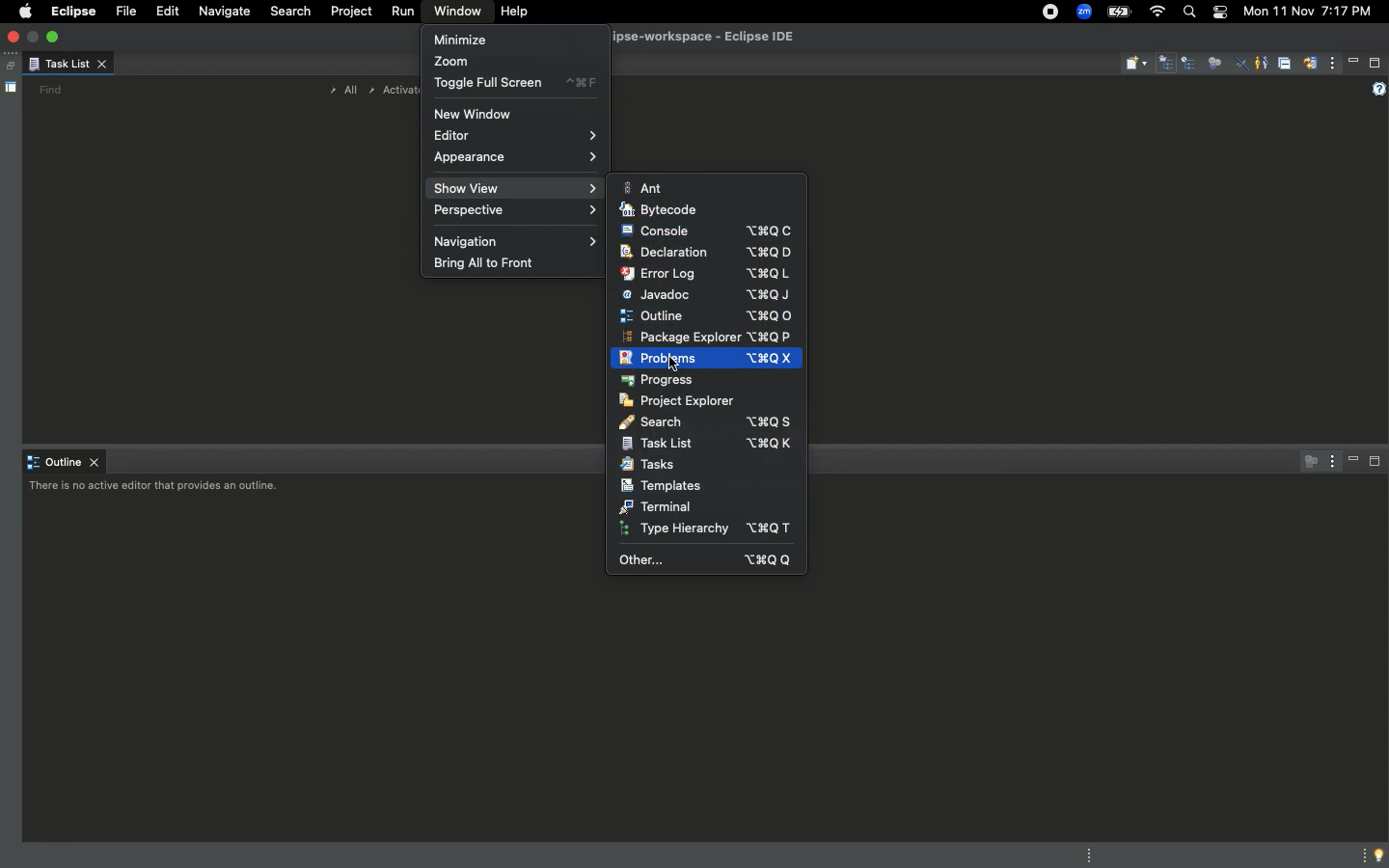 Image resolution: width=1389 pixels, height=868 pixels. I want to click on Date/time, so click(1306, 12).